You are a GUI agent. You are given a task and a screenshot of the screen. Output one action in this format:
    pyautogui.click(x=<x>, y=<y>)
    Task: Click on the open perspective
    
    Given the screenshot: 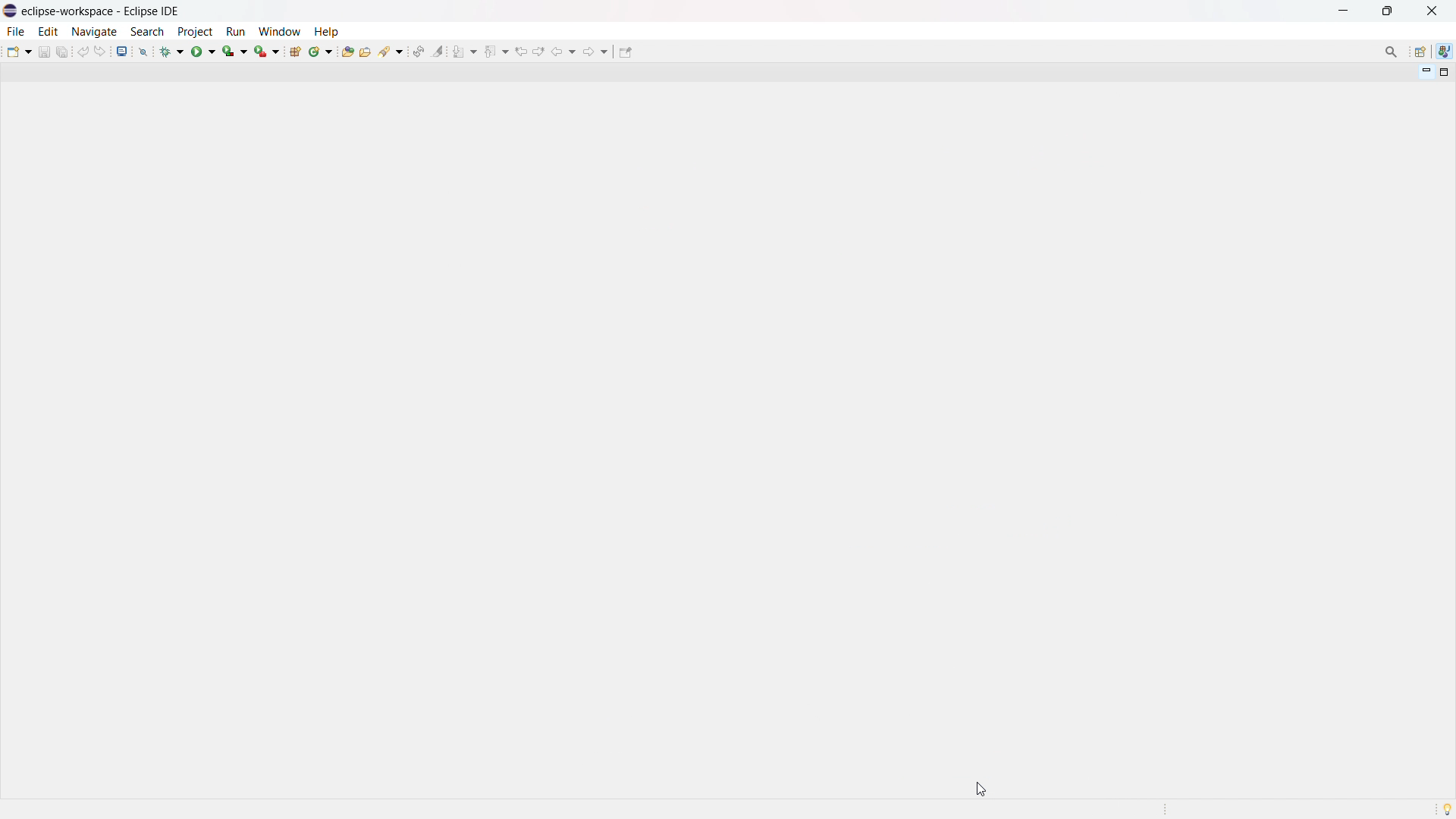 What is the action you would take?
    pyautogui.click(x=1419, y=52)
    